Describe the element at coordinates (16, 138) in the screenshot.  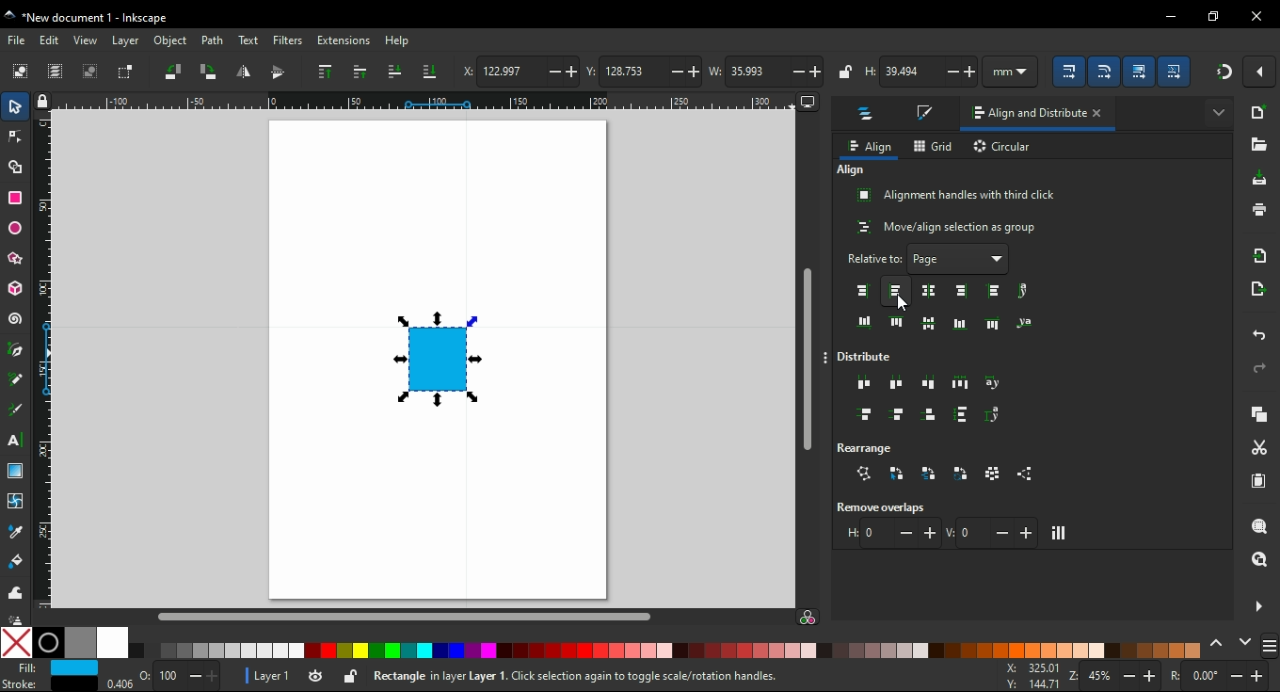
I see `node tool` at that location.